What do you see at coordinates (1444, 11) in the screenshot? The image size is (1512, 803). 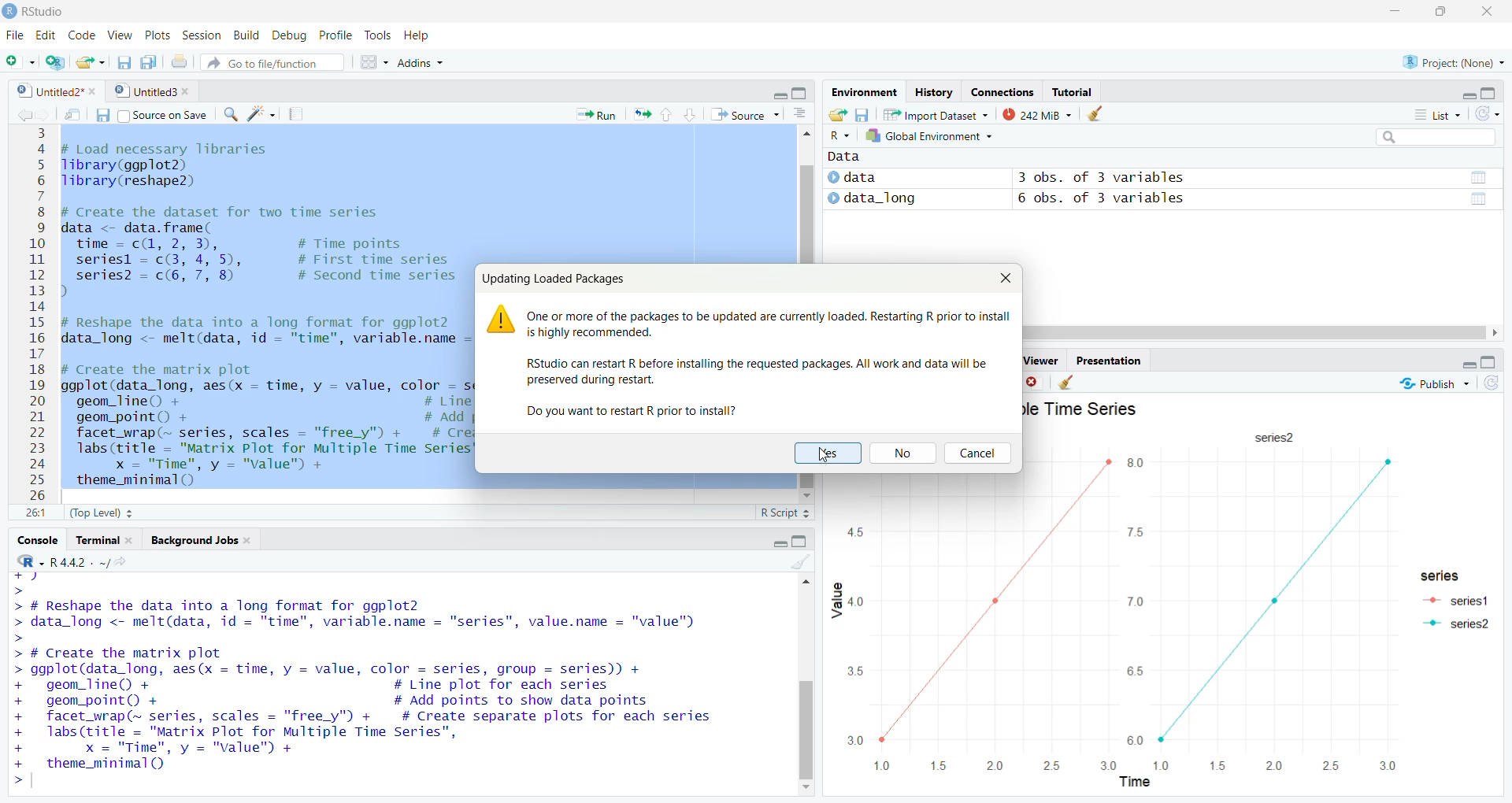 I see `Maximize` at bounding box center [1444, 11].